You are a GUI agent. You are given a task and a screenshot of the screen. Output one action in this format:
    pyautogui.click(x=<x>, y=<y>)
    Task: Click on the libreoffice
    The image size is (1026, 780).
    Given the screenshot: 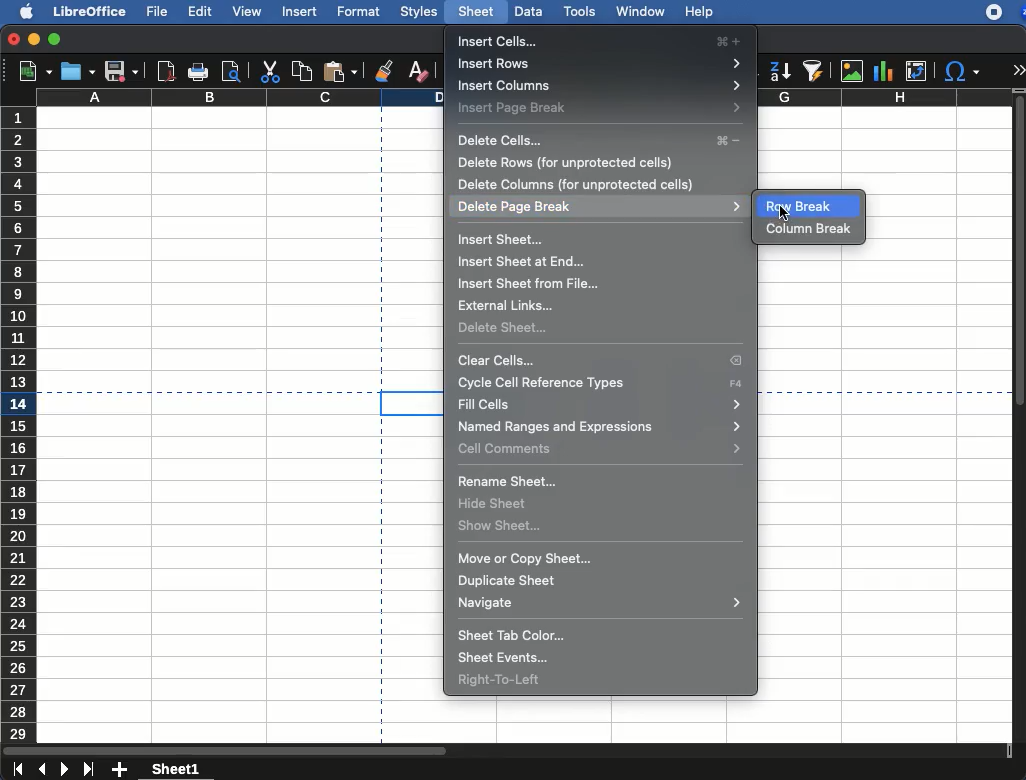 What is the action you would take?
    pyautogui.click(x=90, y=10)
    